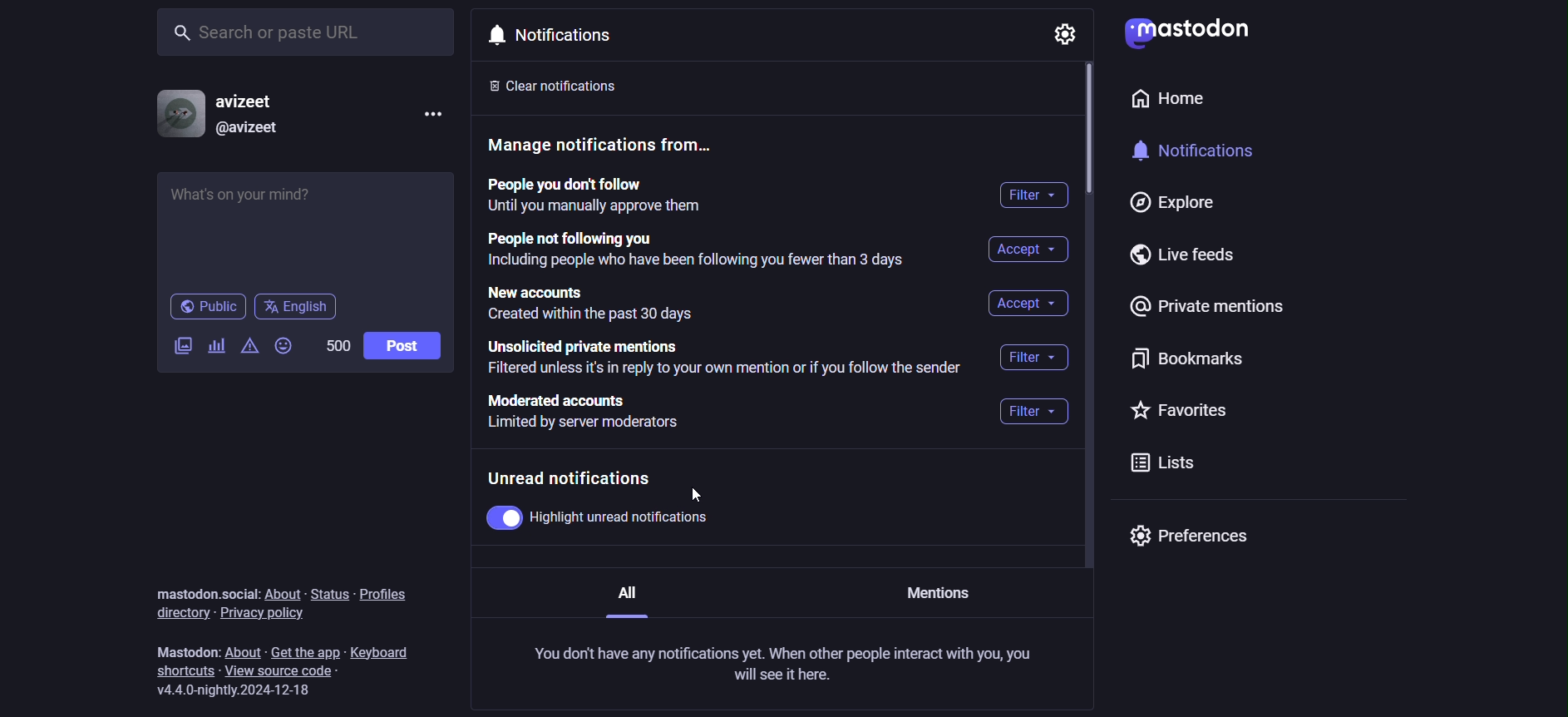 The image size is (1568, 717). Describe the element at coordinates (1033, 357) in the screenshot. I see `filter` at that location.